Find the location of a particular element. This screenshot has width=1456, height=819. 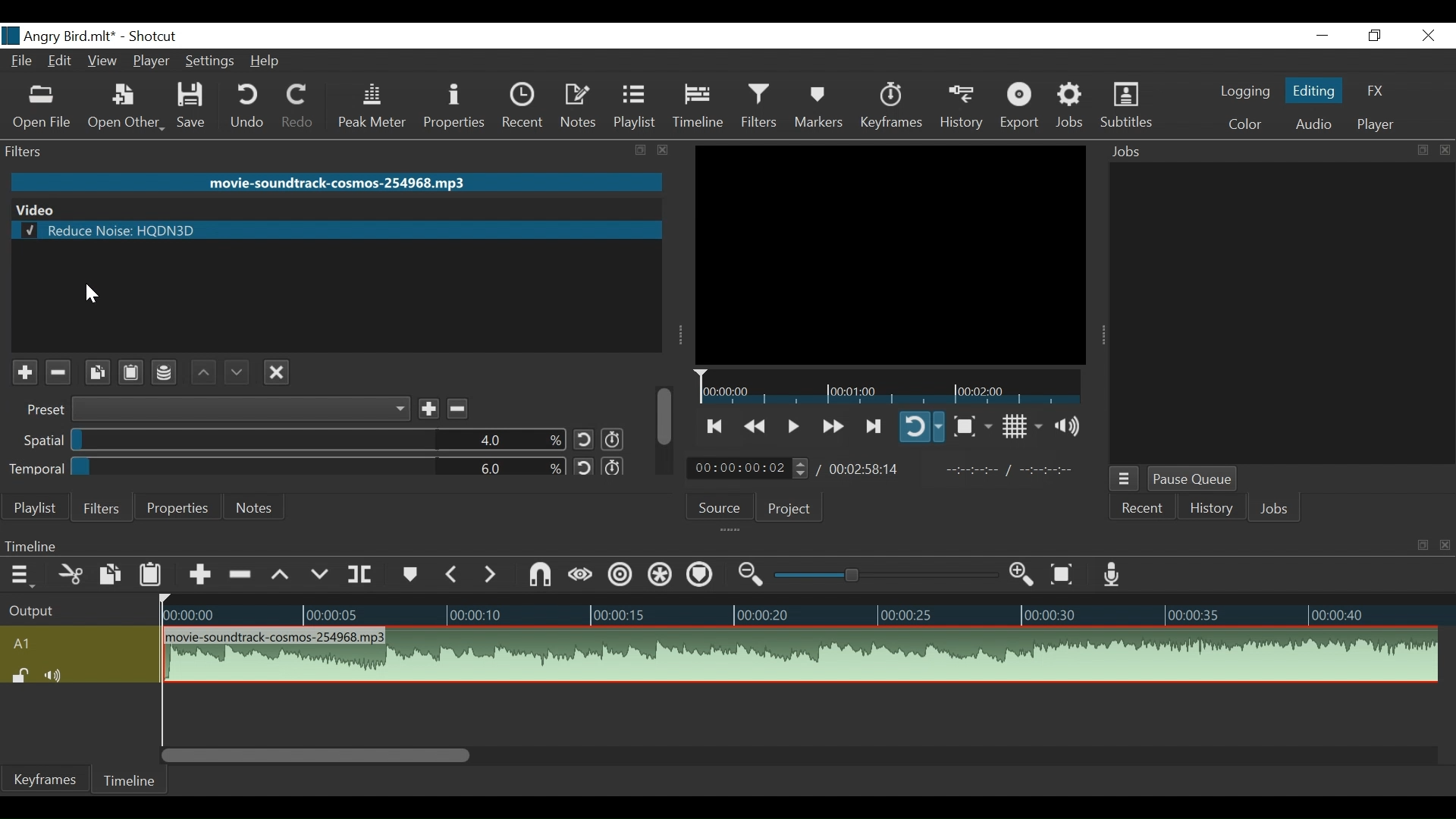

Adjust Temporal Percentage is located at coordinates (319, 468).